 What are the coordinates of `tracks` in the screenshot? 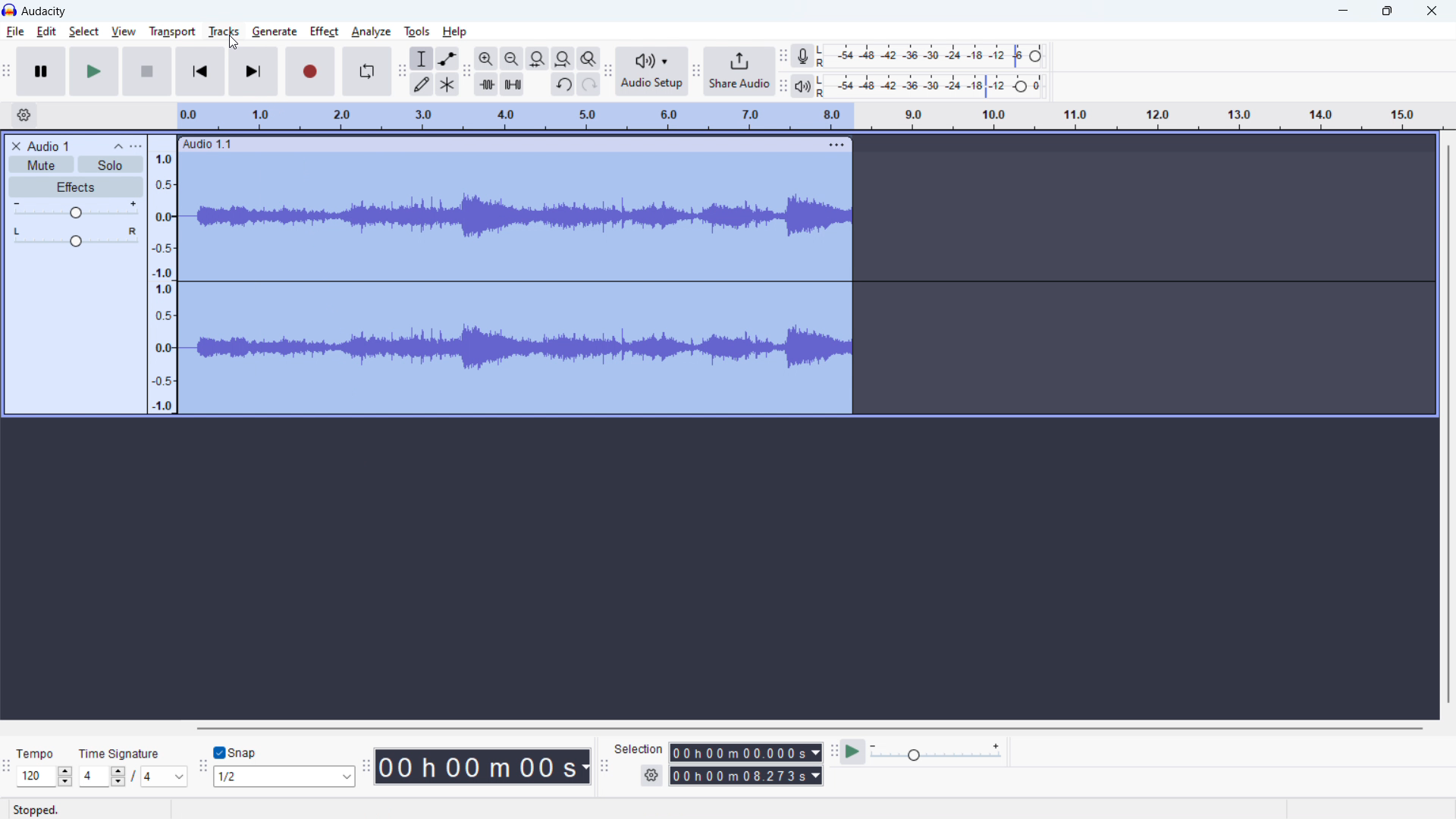 It's located at (224, 32).